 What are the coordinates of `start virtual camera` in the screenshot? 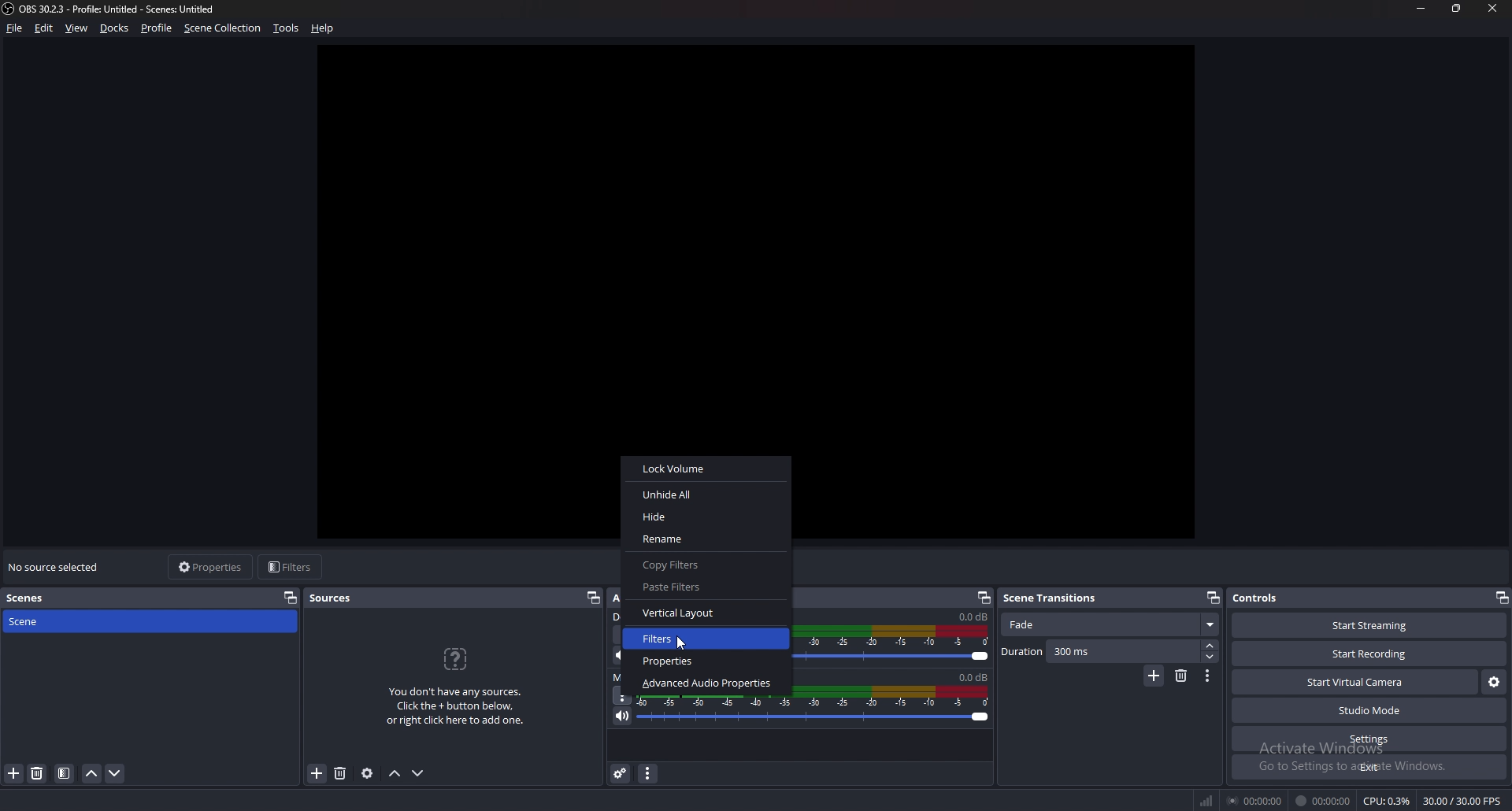 It's located at (1358, 682).